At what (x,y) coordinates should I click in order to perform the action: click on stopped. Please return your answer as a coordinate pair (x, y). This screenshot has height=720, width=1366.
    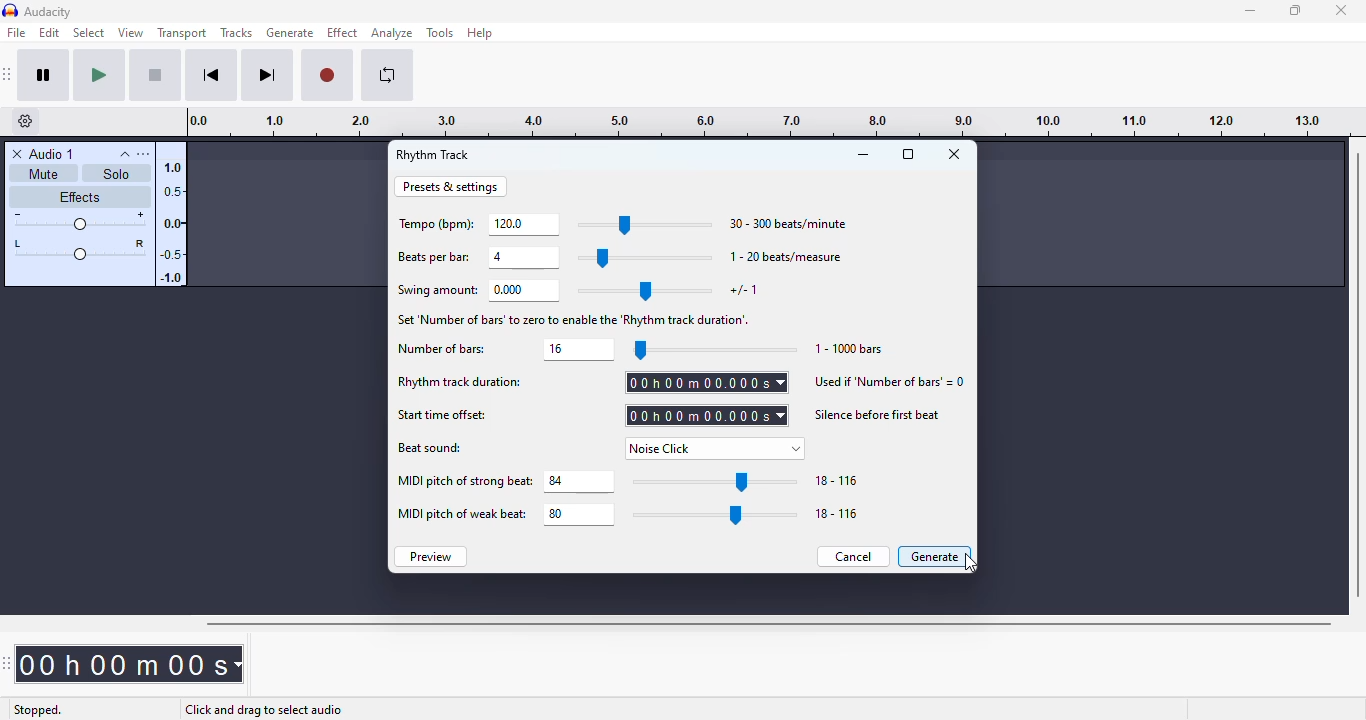
    Looking at the image, I should click on (38, 710).